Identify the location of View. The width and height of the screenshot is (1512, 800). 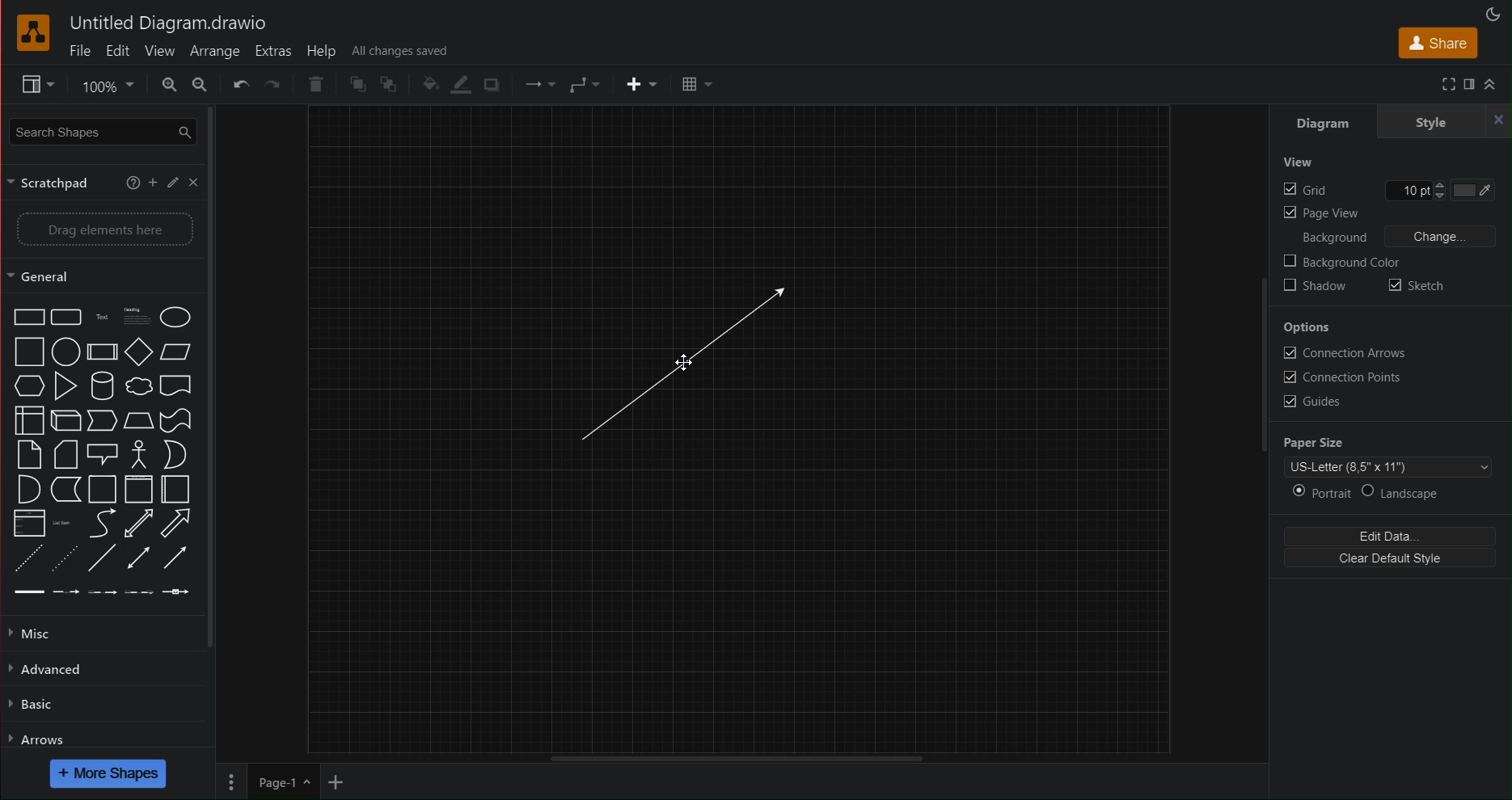
(158, 51).